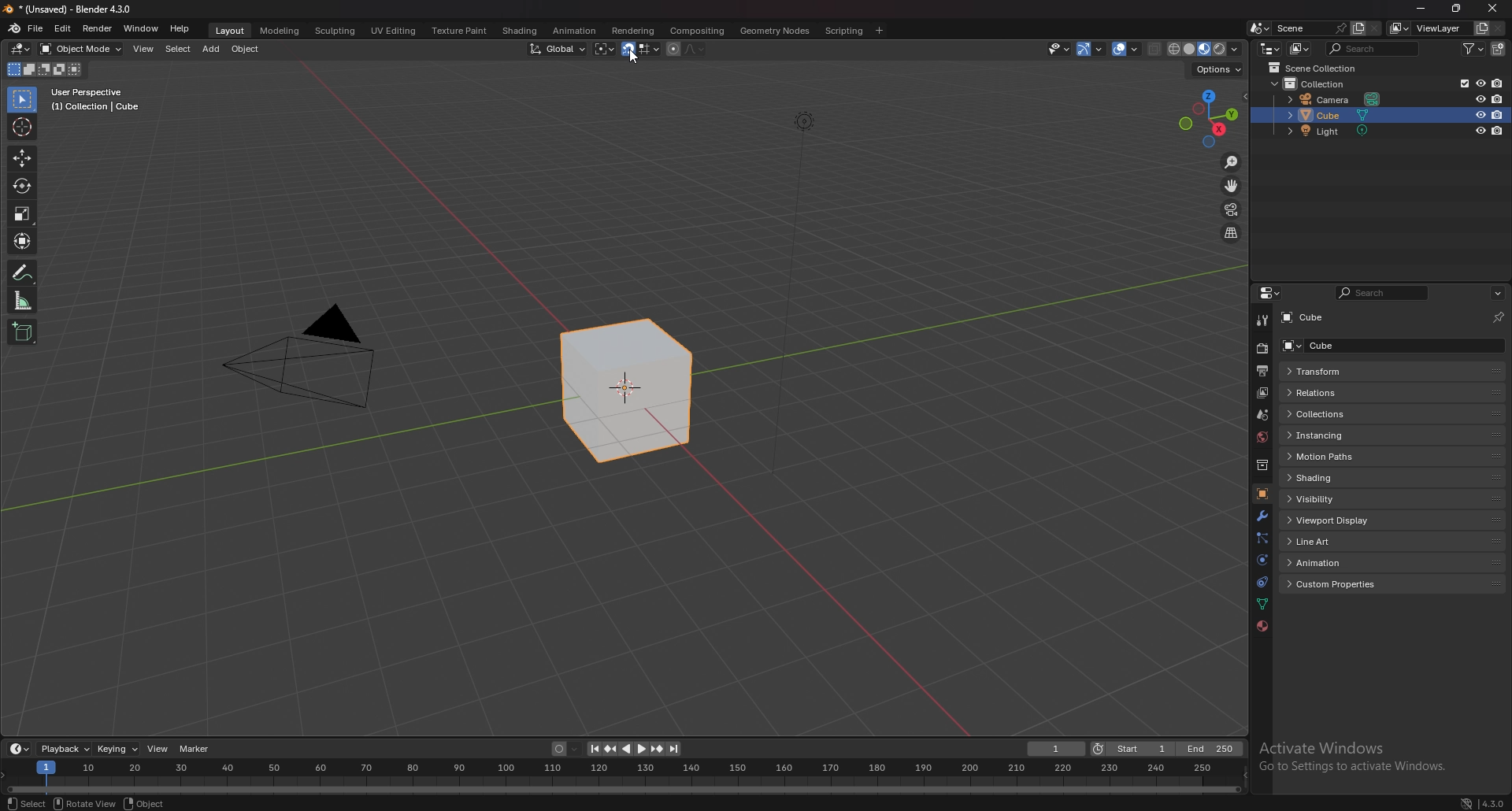  Describe the element at coordinates (1337, 562) in the screenshot. I see `animation` at that location.